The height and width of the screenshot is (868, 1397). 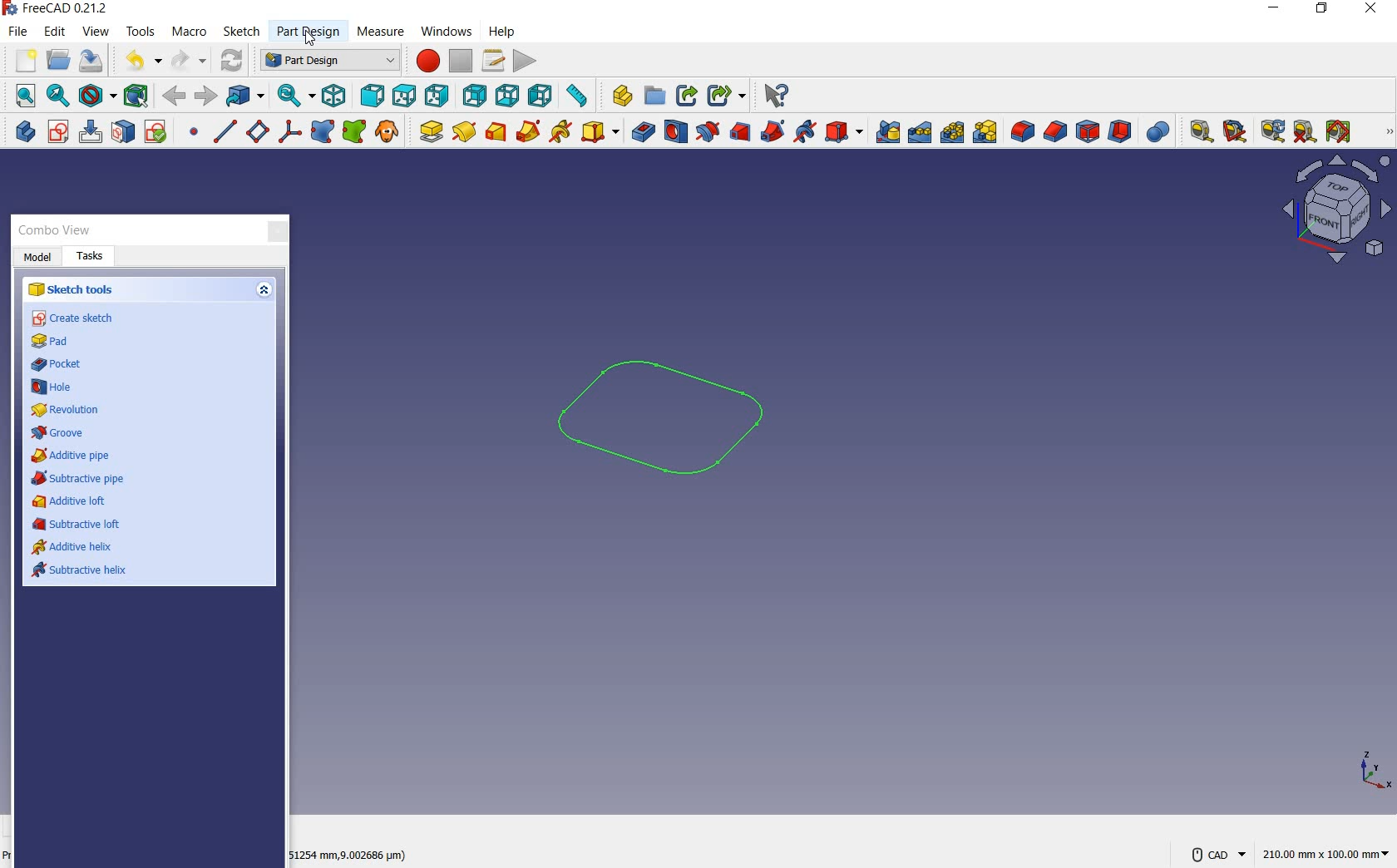 What do you see at coordinates (921, 133) in the screenshot?
I see `linearpattern` at bounding box center [921, 133].